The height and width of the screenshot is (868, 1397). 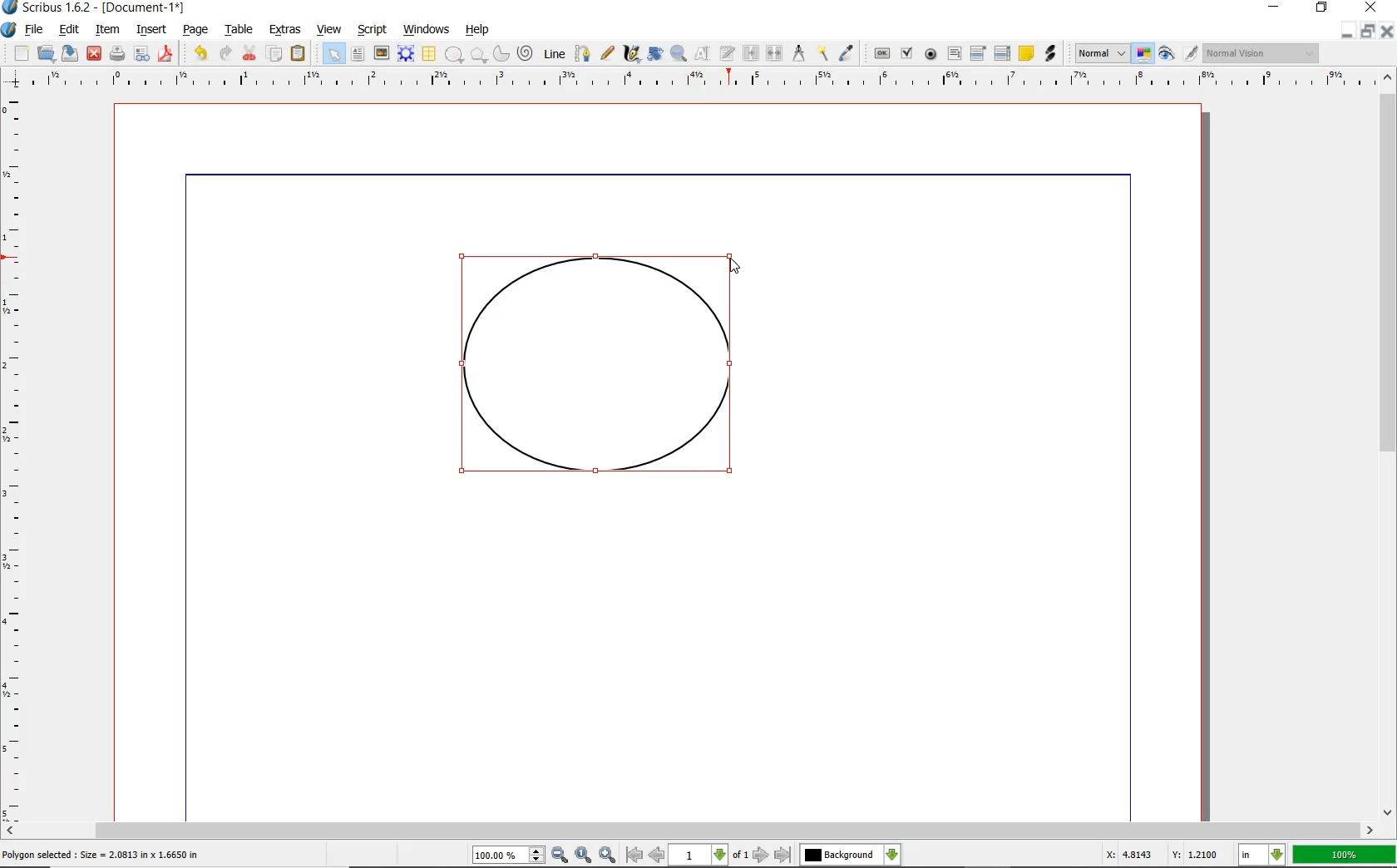 What do you see at coordinates (500, 55) in the screenshot?
I see `ARC` at bounding box center [500, 55].